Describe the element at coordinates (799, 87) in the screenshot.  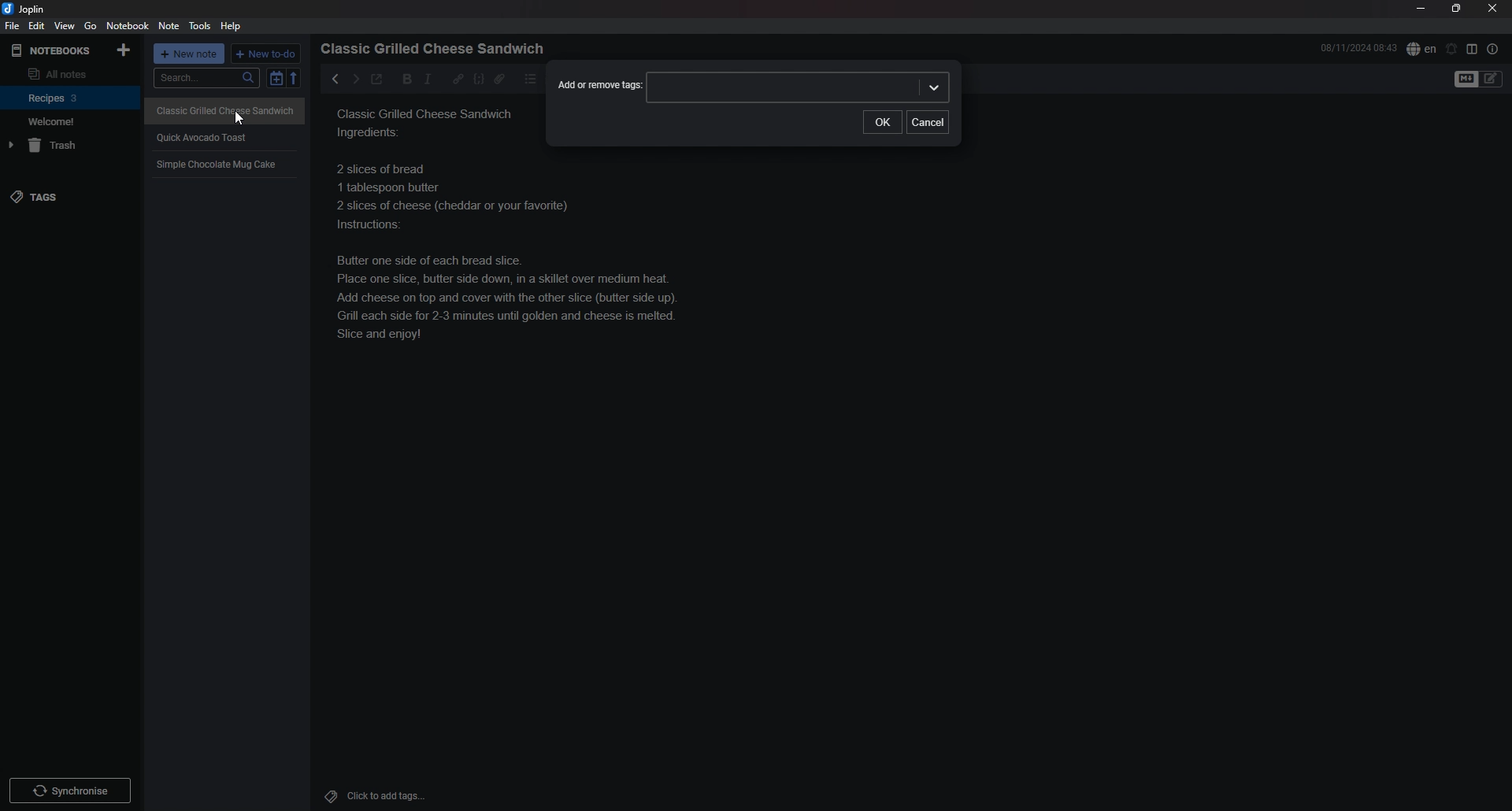
I see `input box` at that location.